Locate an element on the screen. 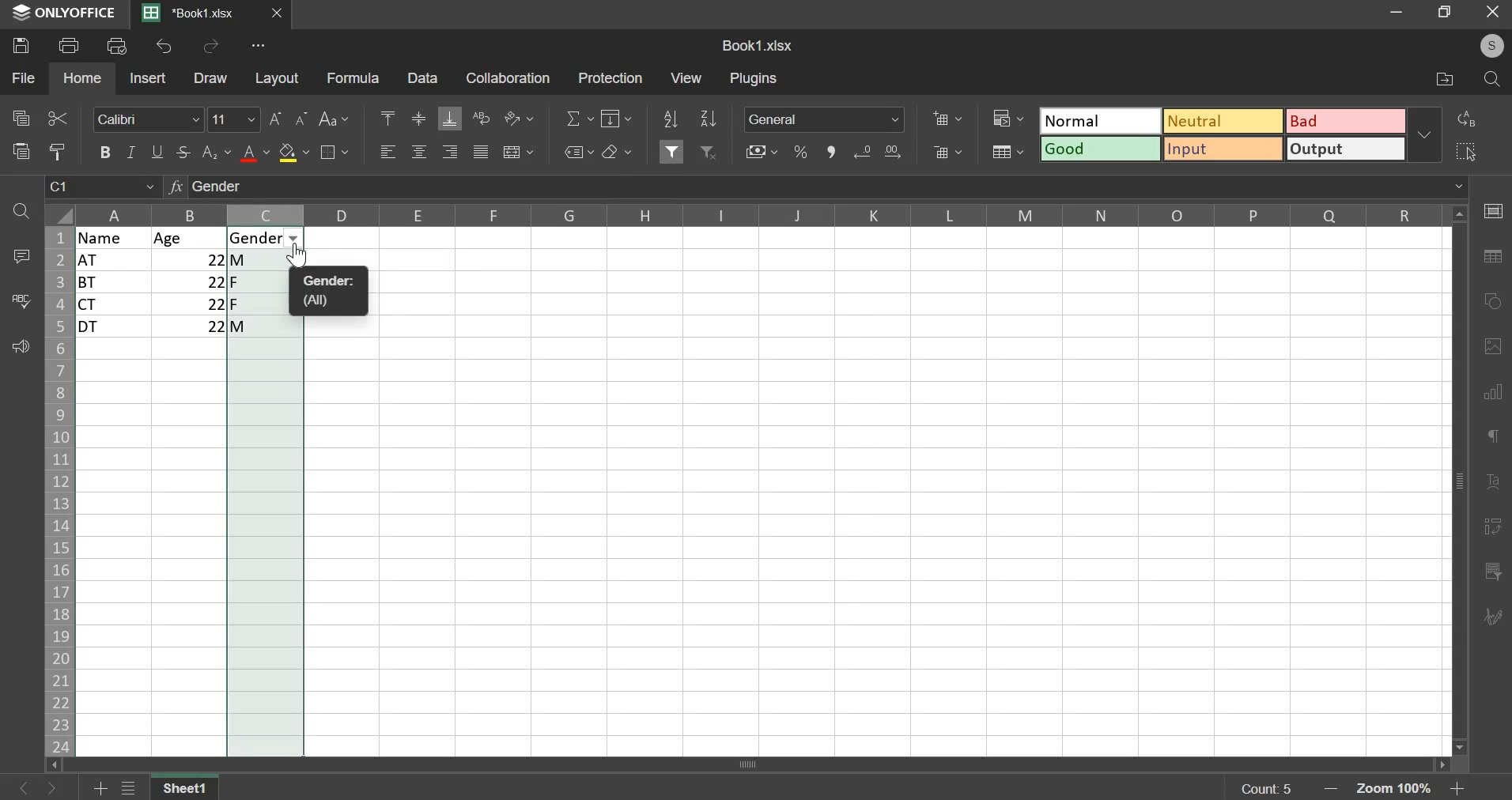 This screenshot has width=1512, height=800. scroll bar is located at coordinates (764, 764).